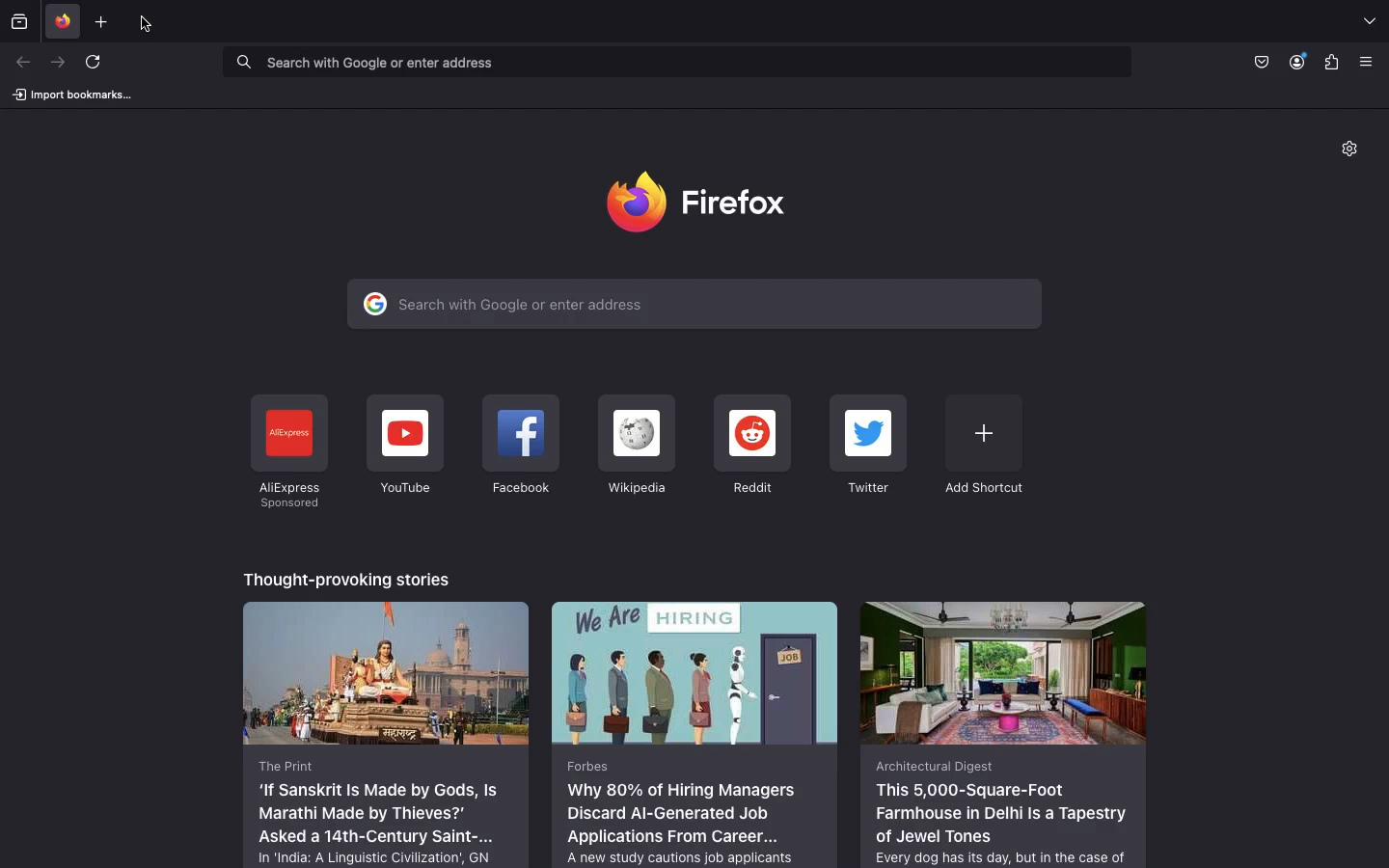 This screenshot has width=1389, height=868. What do you see at coordinates (871, 447) in the screenshot?
I see `Twitter` at bounding box center [871, 447].